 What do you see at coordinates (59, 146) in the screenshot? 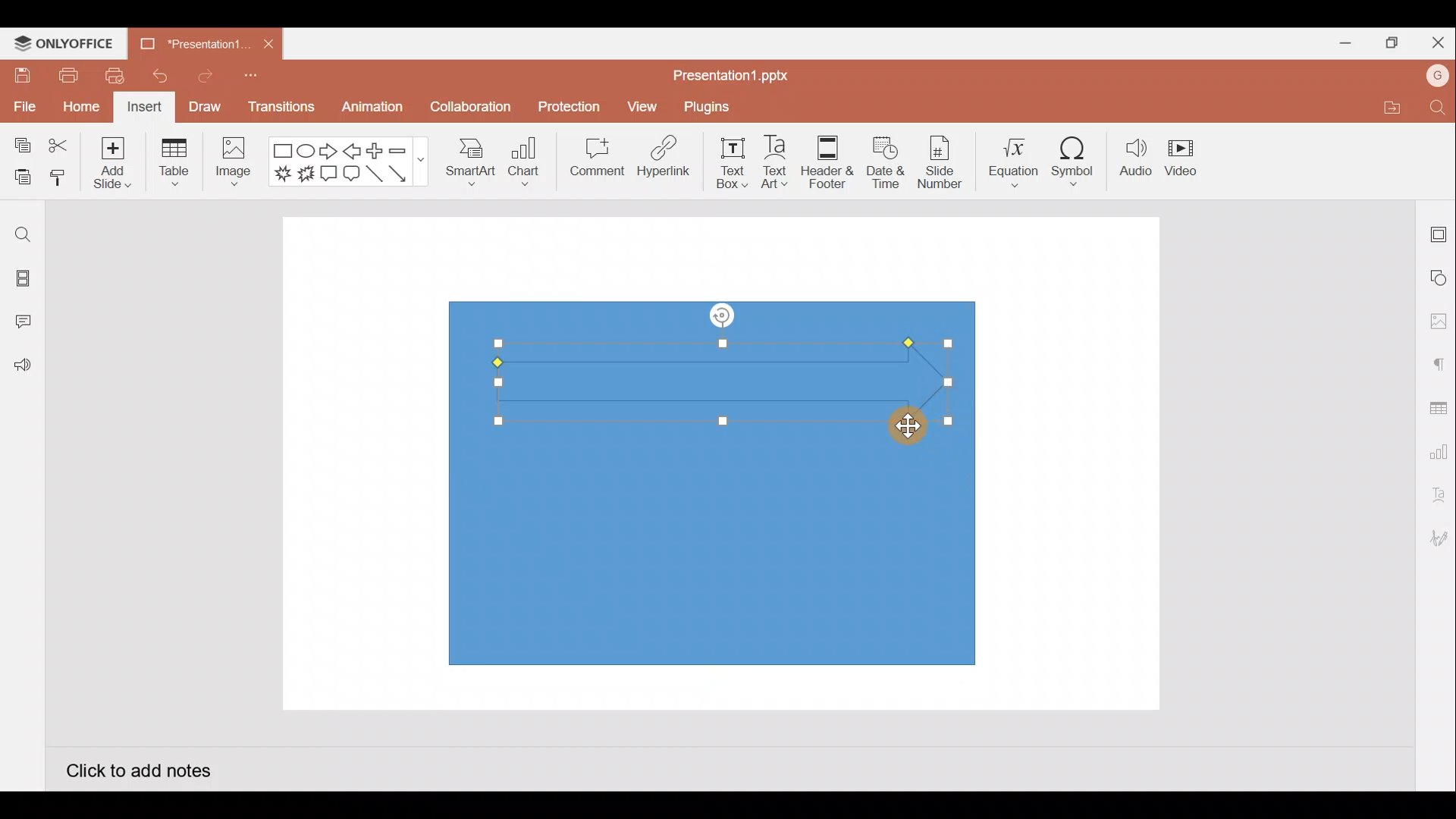
I see `Cut` at bounding box center [59, 146].